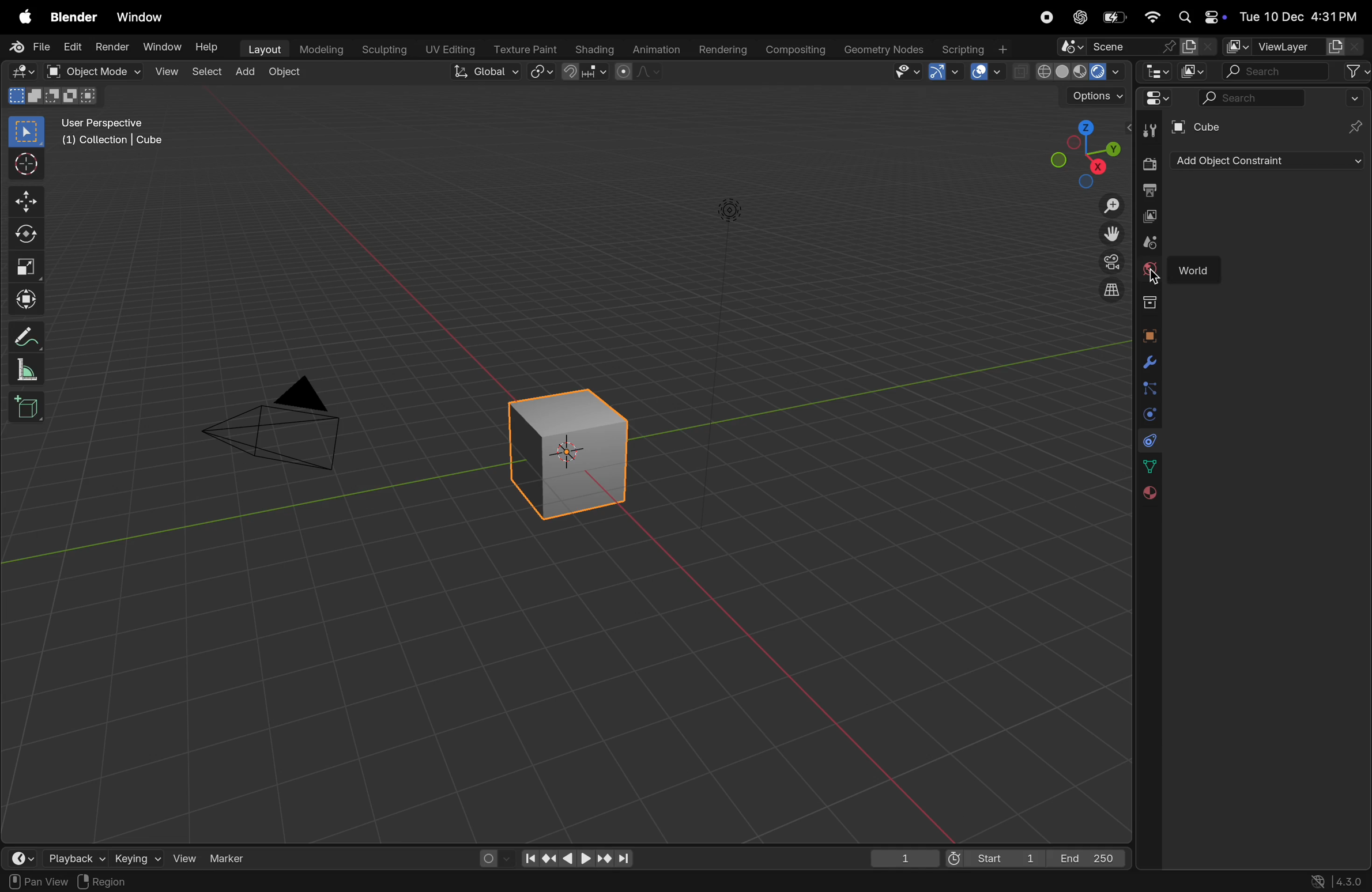 The width and height of the screenshot is (1372, 892). What do you see at coordinates (1155, 98) in the screenshot?
I see `Editor mode` at bounding box center [1155, 98].